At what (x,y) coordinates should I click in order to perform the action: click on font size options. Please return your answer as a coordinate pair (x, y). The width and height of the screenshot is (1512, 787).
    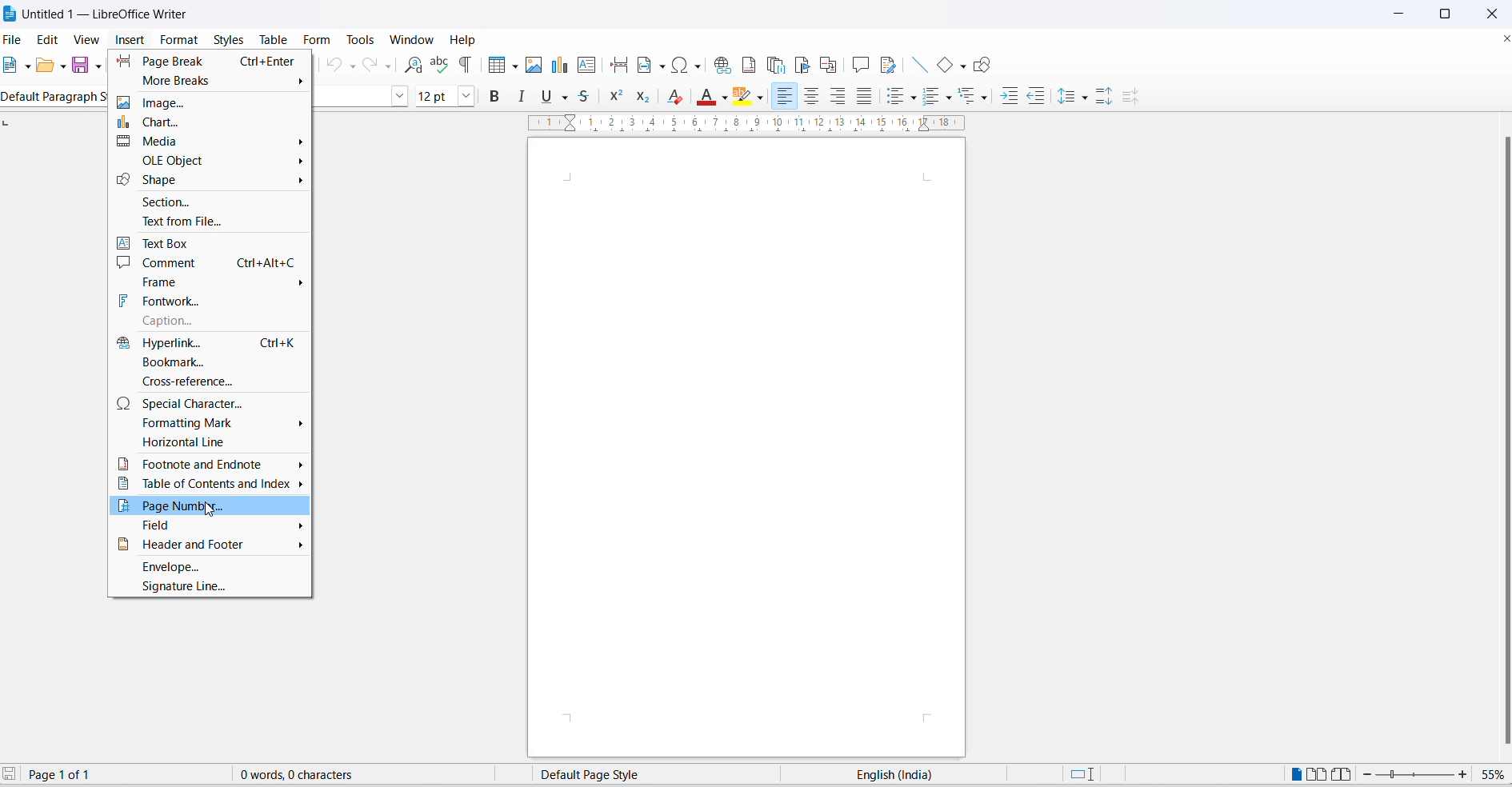
    Looking at the image, I should click on (466, 95).